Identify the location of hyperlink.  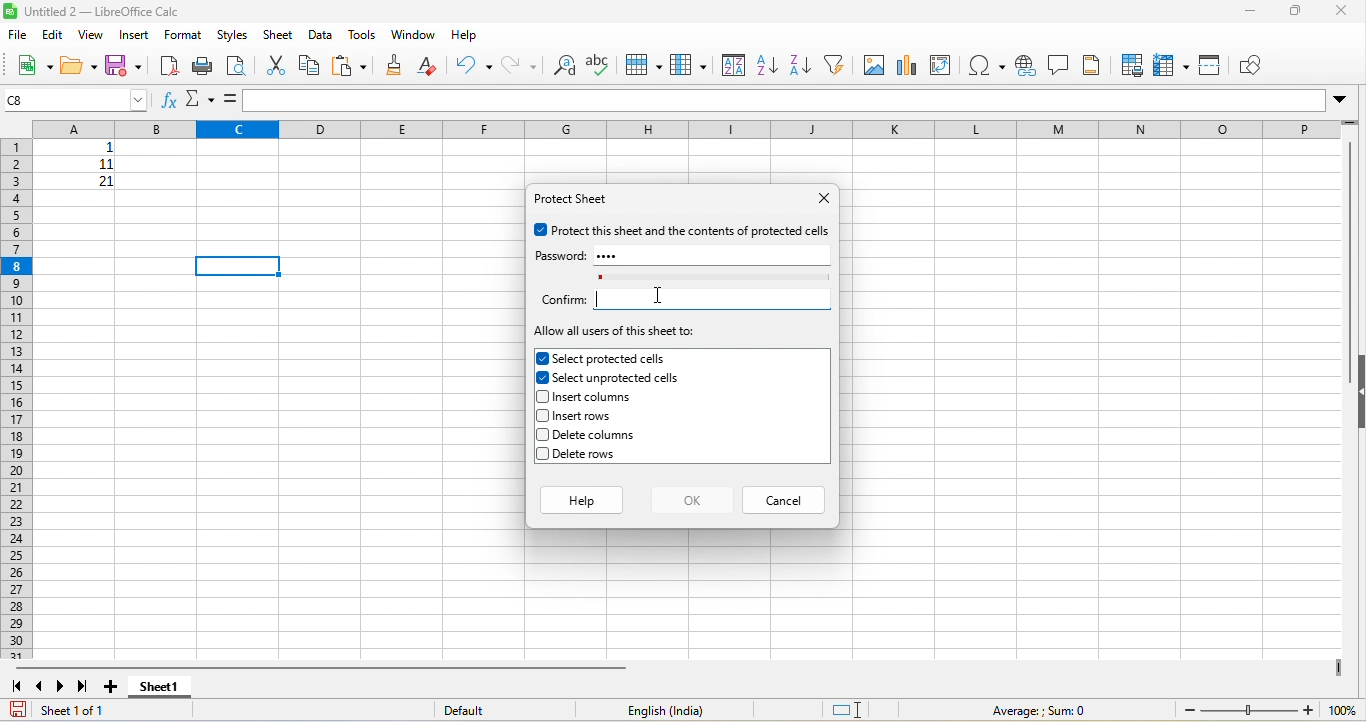
(1024, 64).